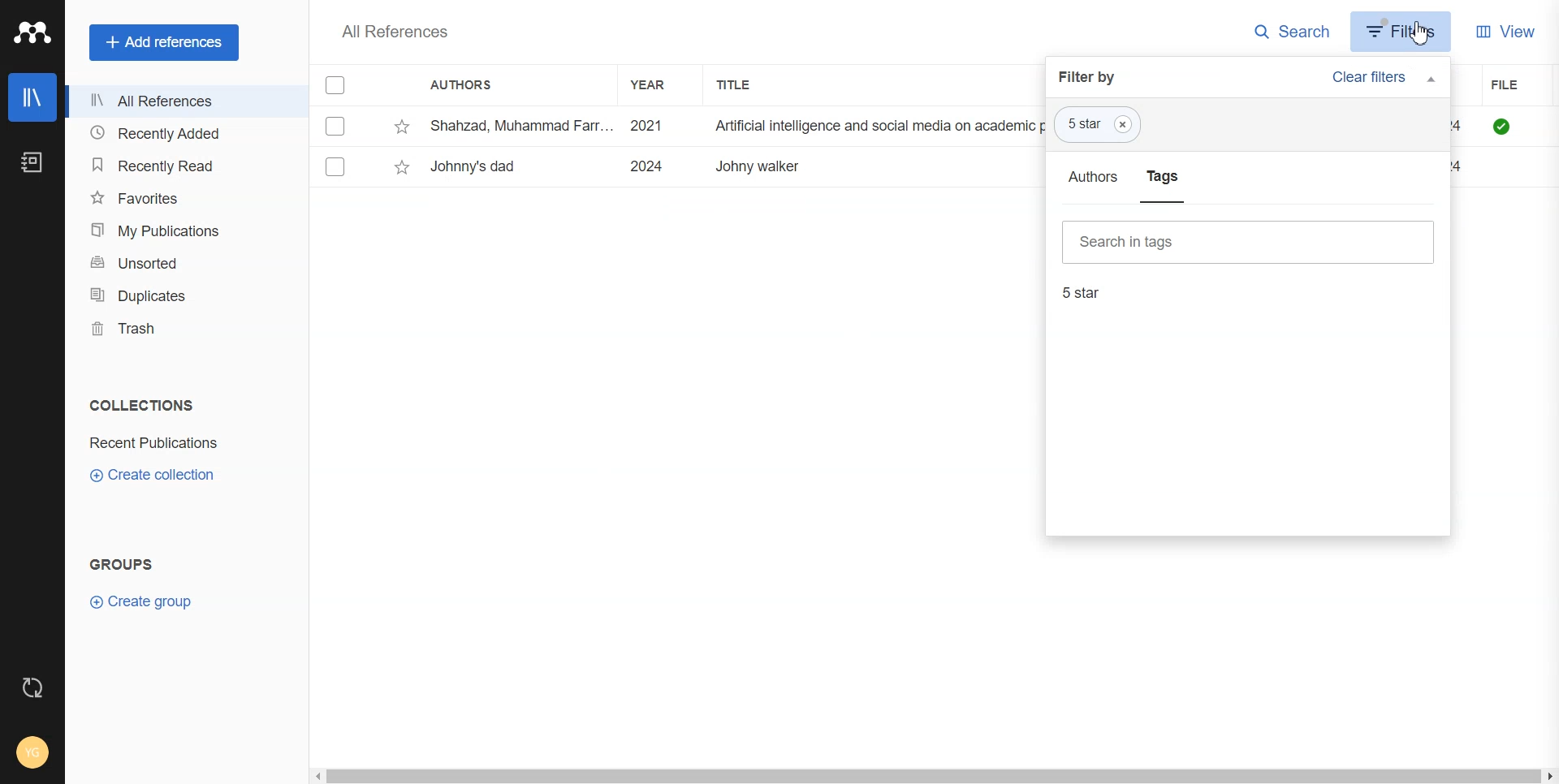 Image resolution: width=1559 pixels, height=784 pixels. What do you see at coordinates (1516, 85) in the screenshot?
I see `File` at bounding box center [1516, 85].